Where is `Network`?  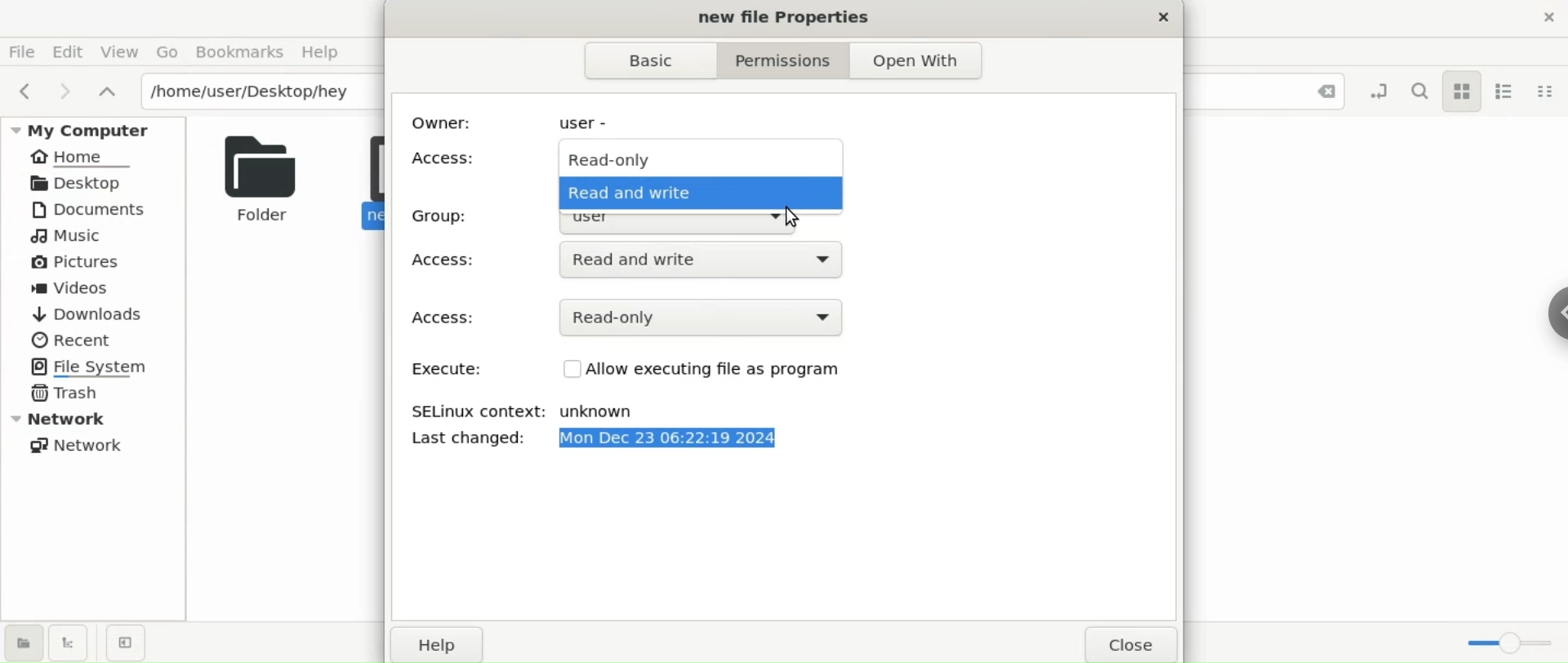
Network is located at coordinates (98, 418).